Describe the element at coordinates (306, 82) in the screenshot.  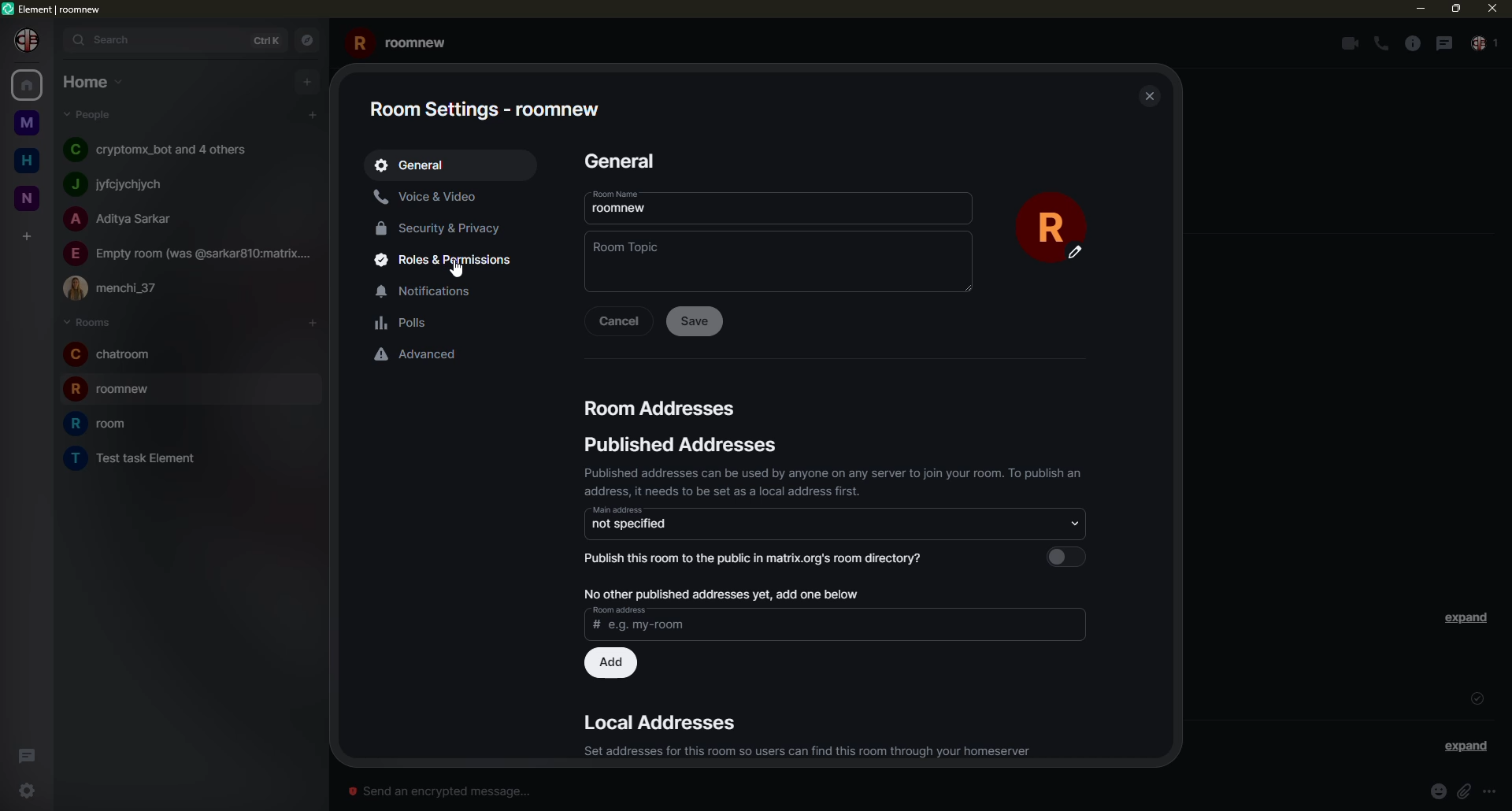
I see `add` at that location.